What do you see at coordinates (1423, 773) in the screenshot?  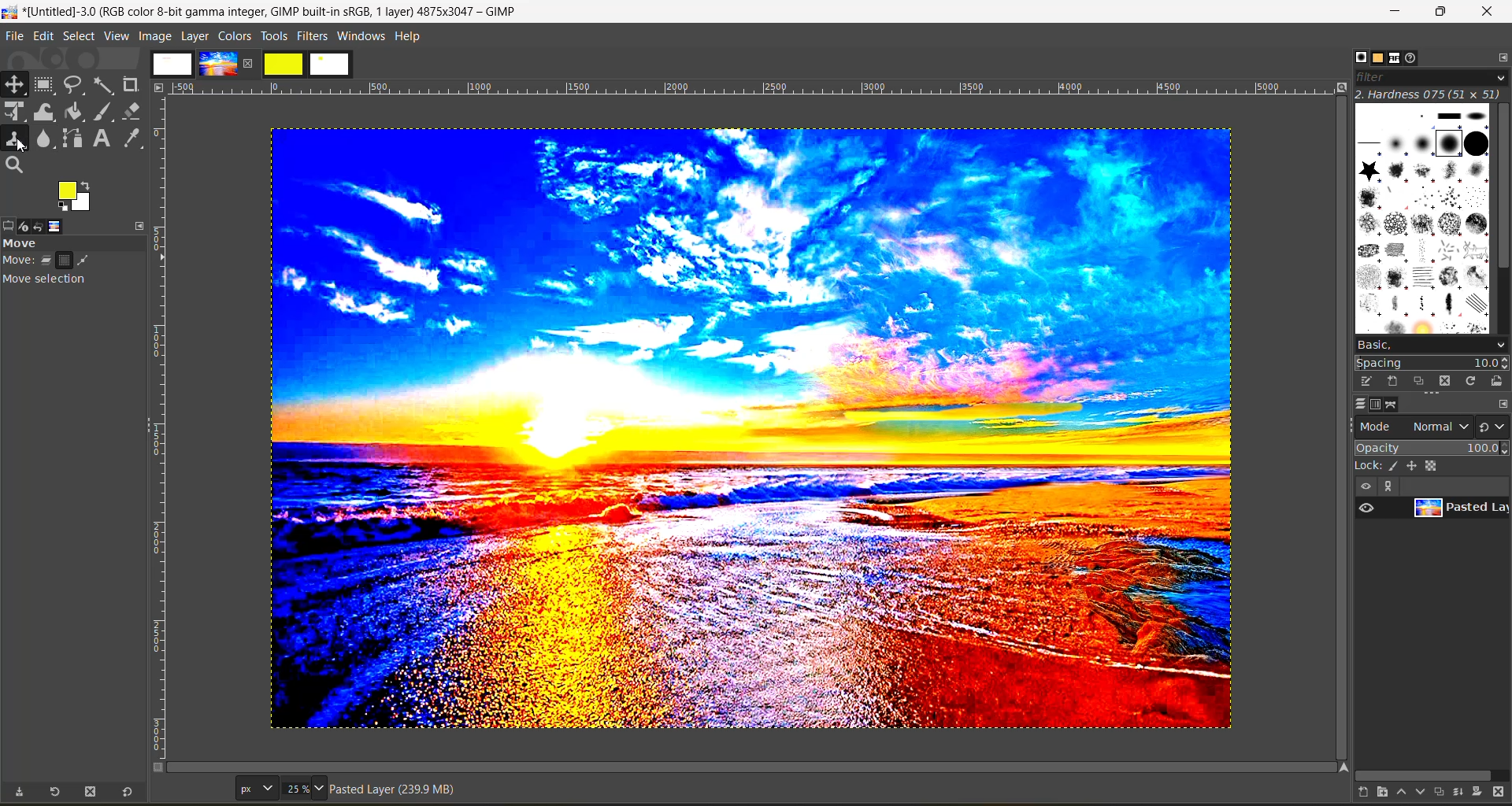 I see `horizontal scroll bar` at bounding box center [1423, 773].